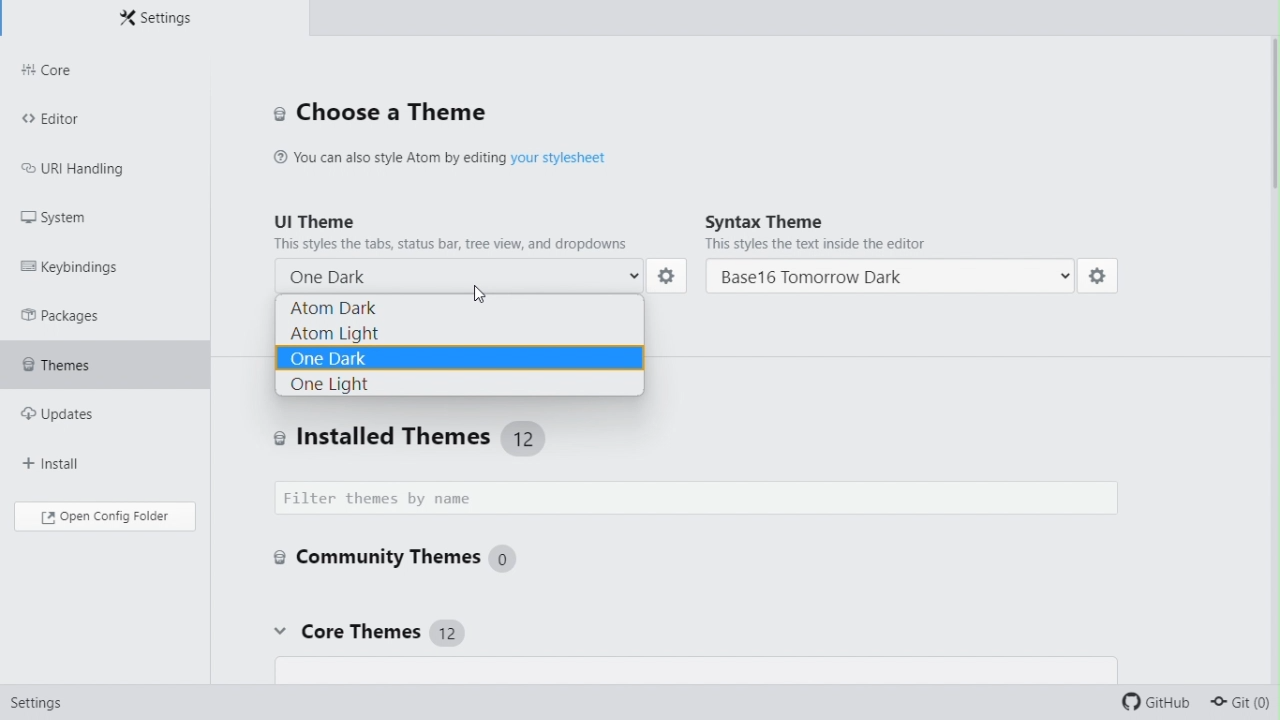  What do you see at coordinates (105, 71) in the screenshot?
I see `Core ` at bounding box center [105, 71].